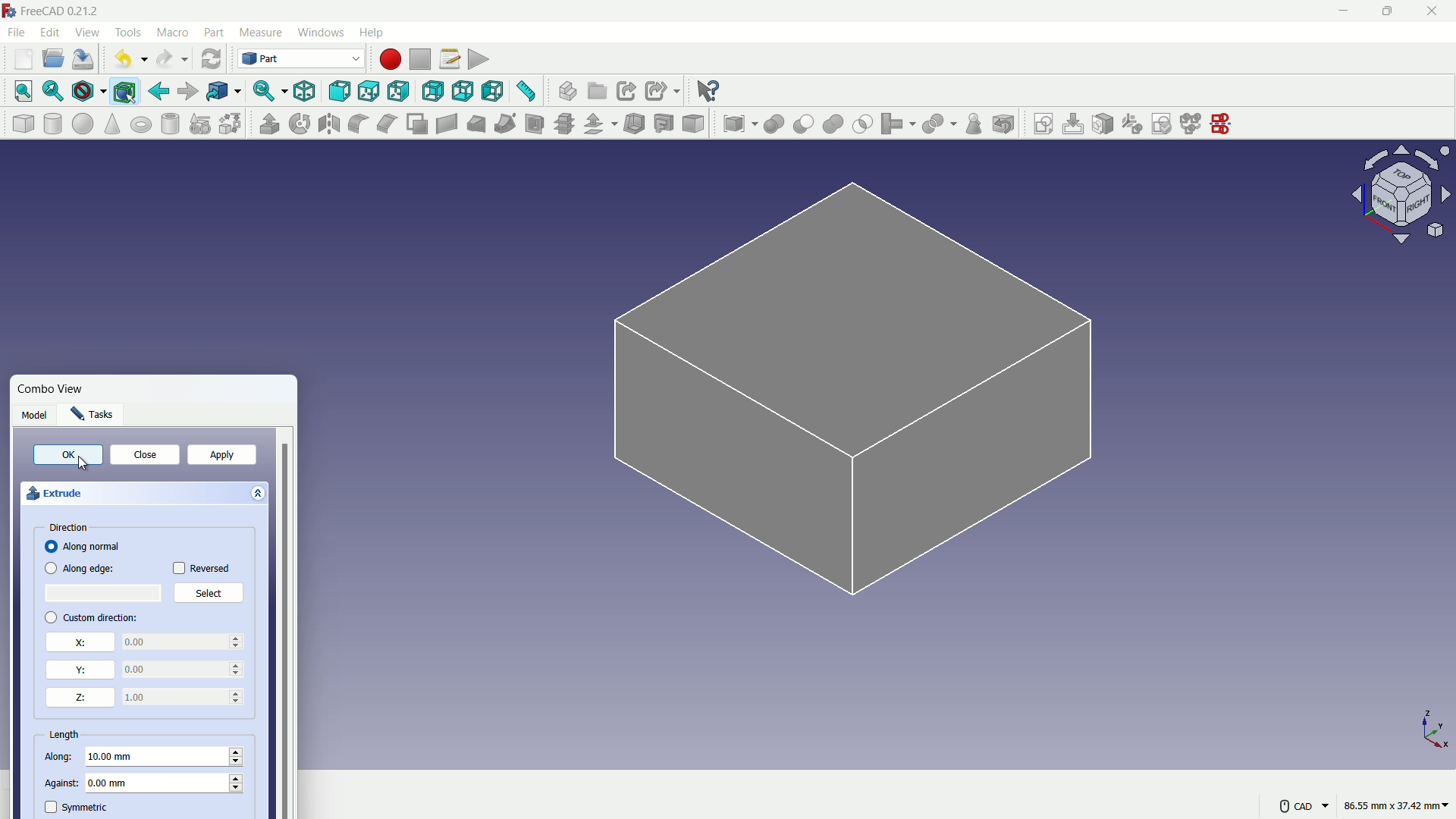 Image resolution: width=1456 pixels, height=819 pixels. What do you see at coordinates (447, 122) in the screenshot?
I see `create ruled surface` at bounding box center [447, 122].